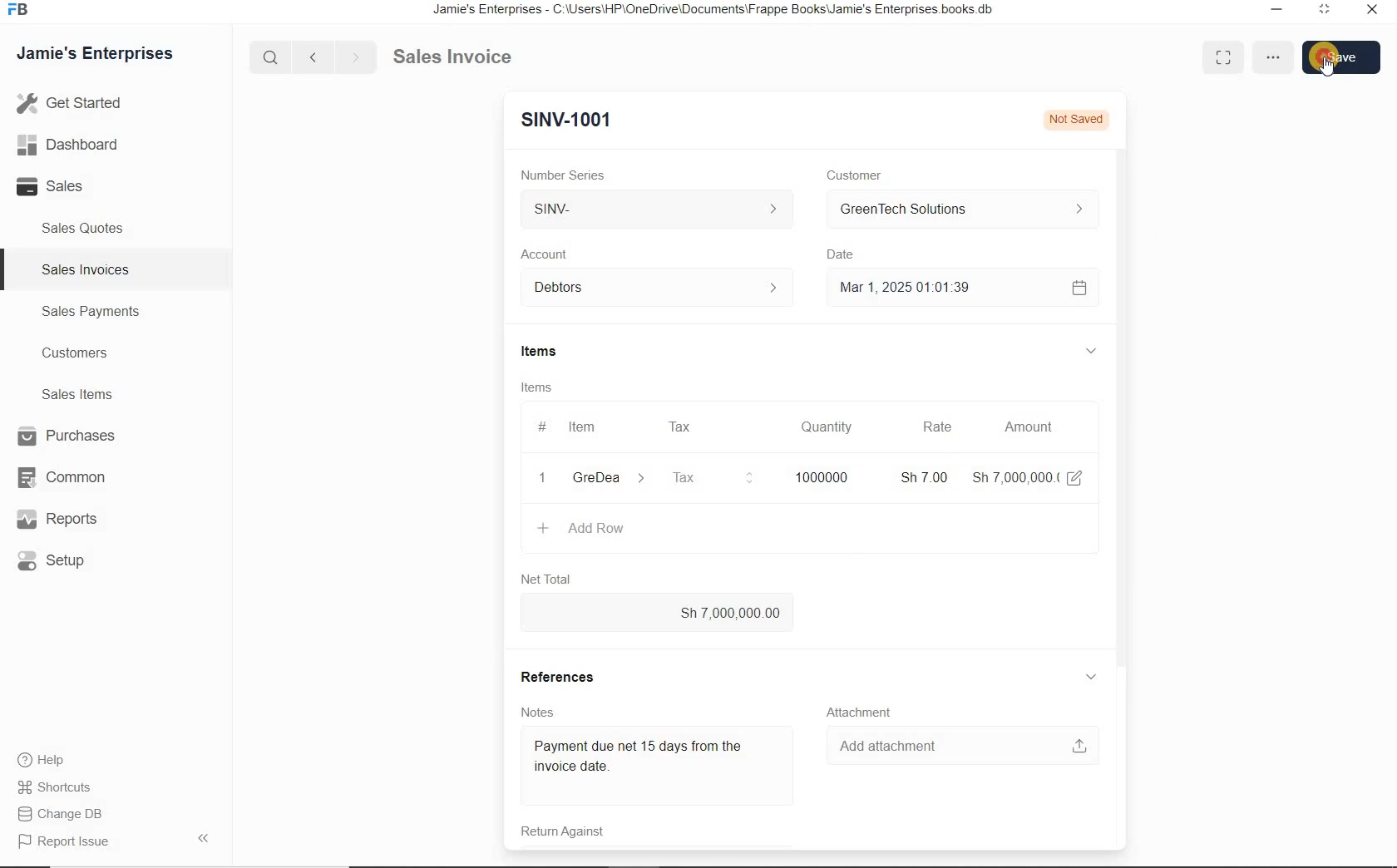 Image resolution: width=1397 pixels, height=868 pixels. What do you see at coordinates (17, 11) in the screenshot?
I see `frappe books` at bounding box center [17, 11].